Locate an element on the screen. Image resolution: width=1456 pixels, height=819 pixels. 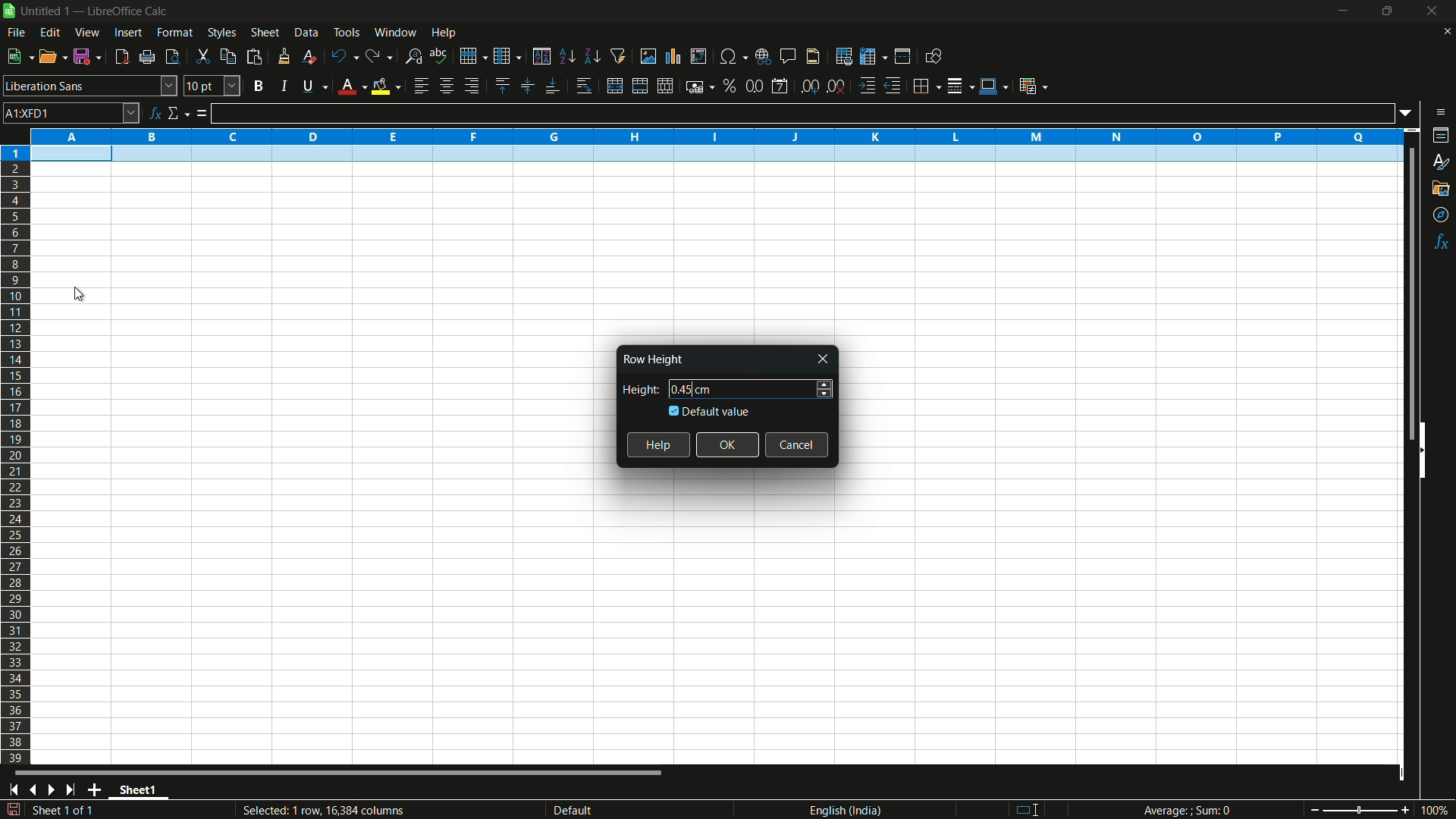
zoom slider is located at coordinates (1359, 809).